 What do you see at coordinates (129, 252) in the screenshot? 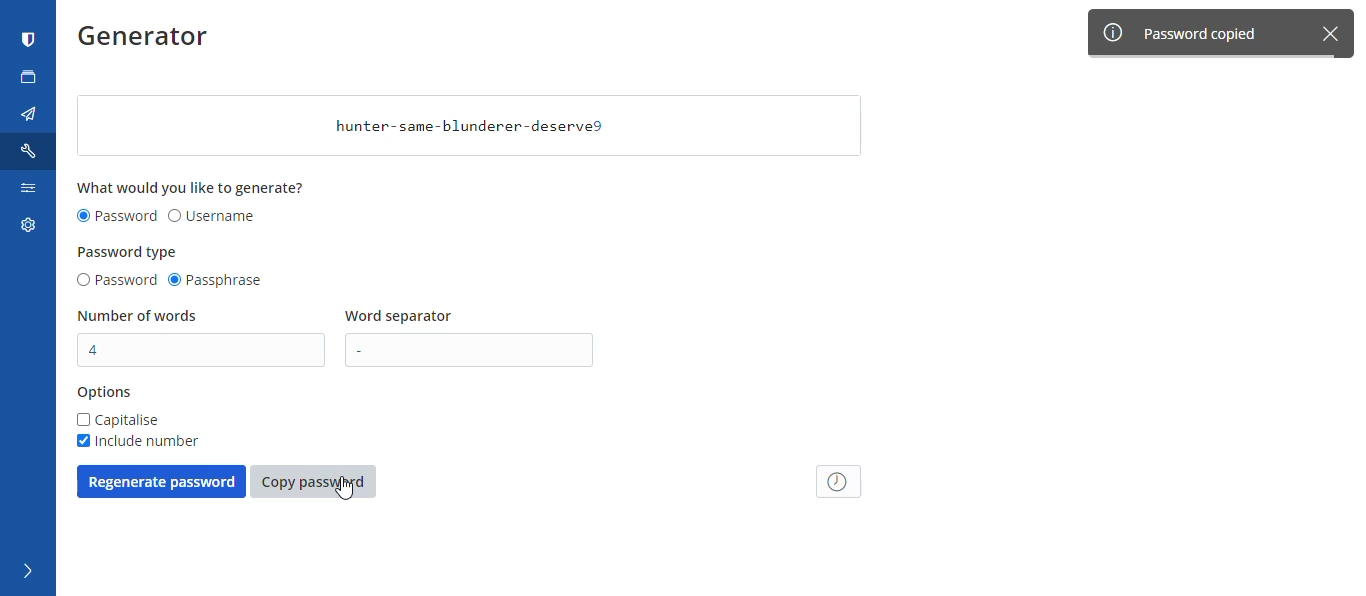
I see `password type` at bounding box center [129, 252].